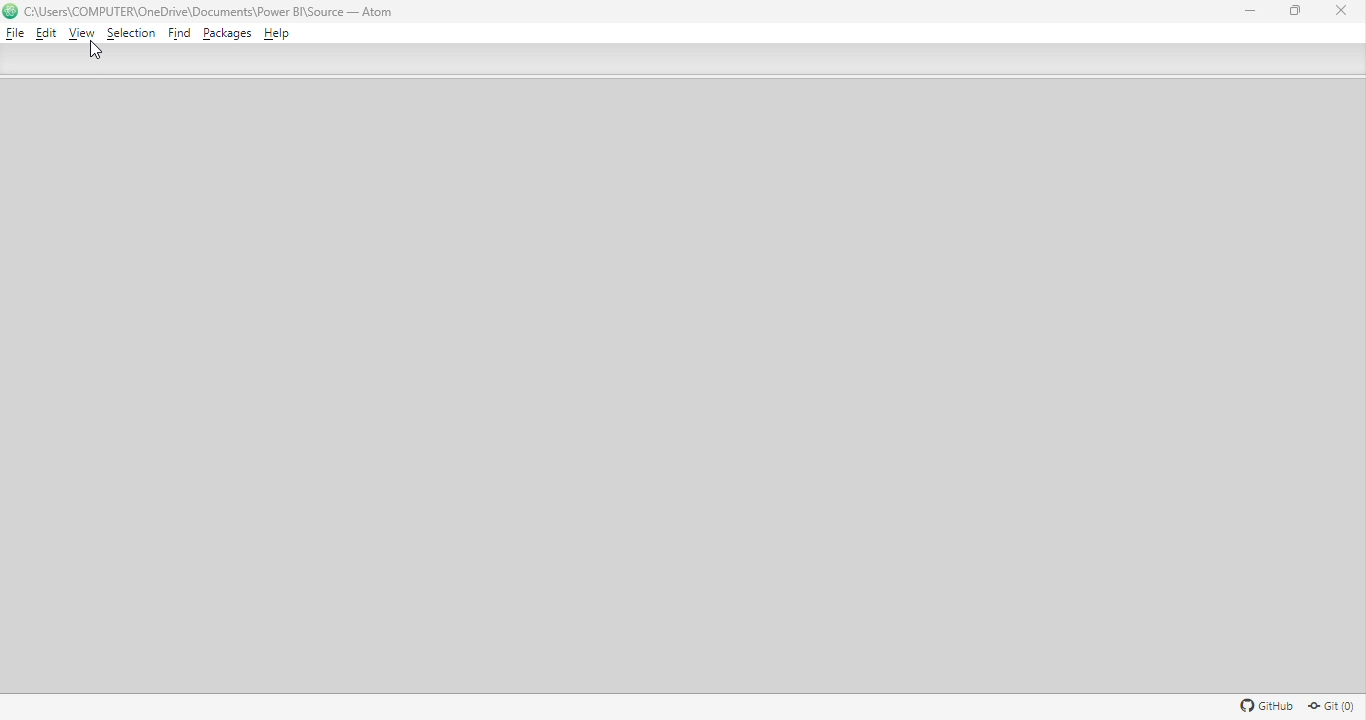 This screenshot has height=720, width=1366. I want to click on GitHub, so click(1264, 708).